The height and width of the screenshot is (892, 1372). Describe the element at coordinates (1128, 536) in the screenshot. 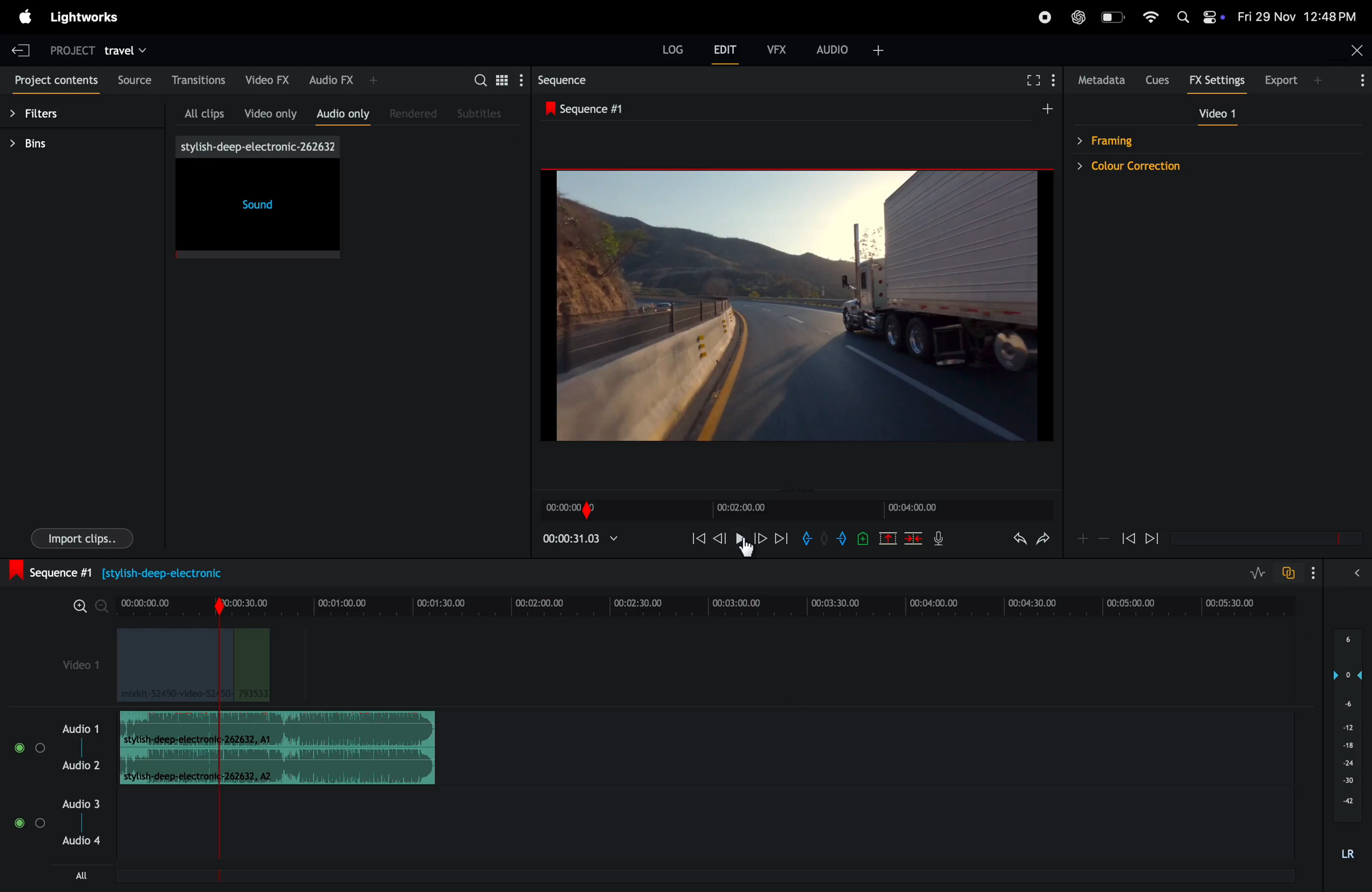

I see `previous frame` at that location.